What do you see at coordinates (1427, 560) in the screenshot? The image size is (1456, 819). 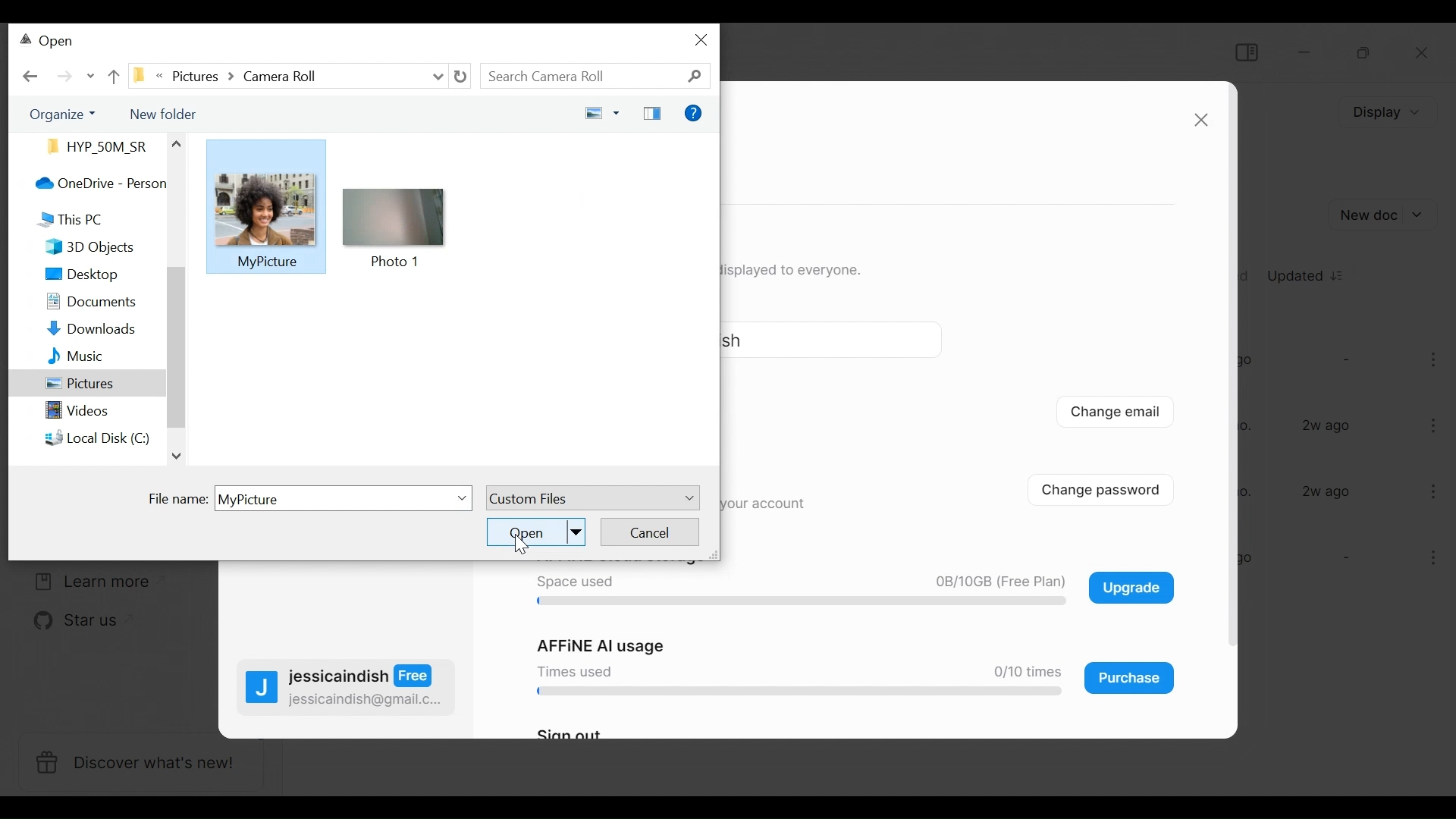 I see `more options` at bounding box center [1427, 560].